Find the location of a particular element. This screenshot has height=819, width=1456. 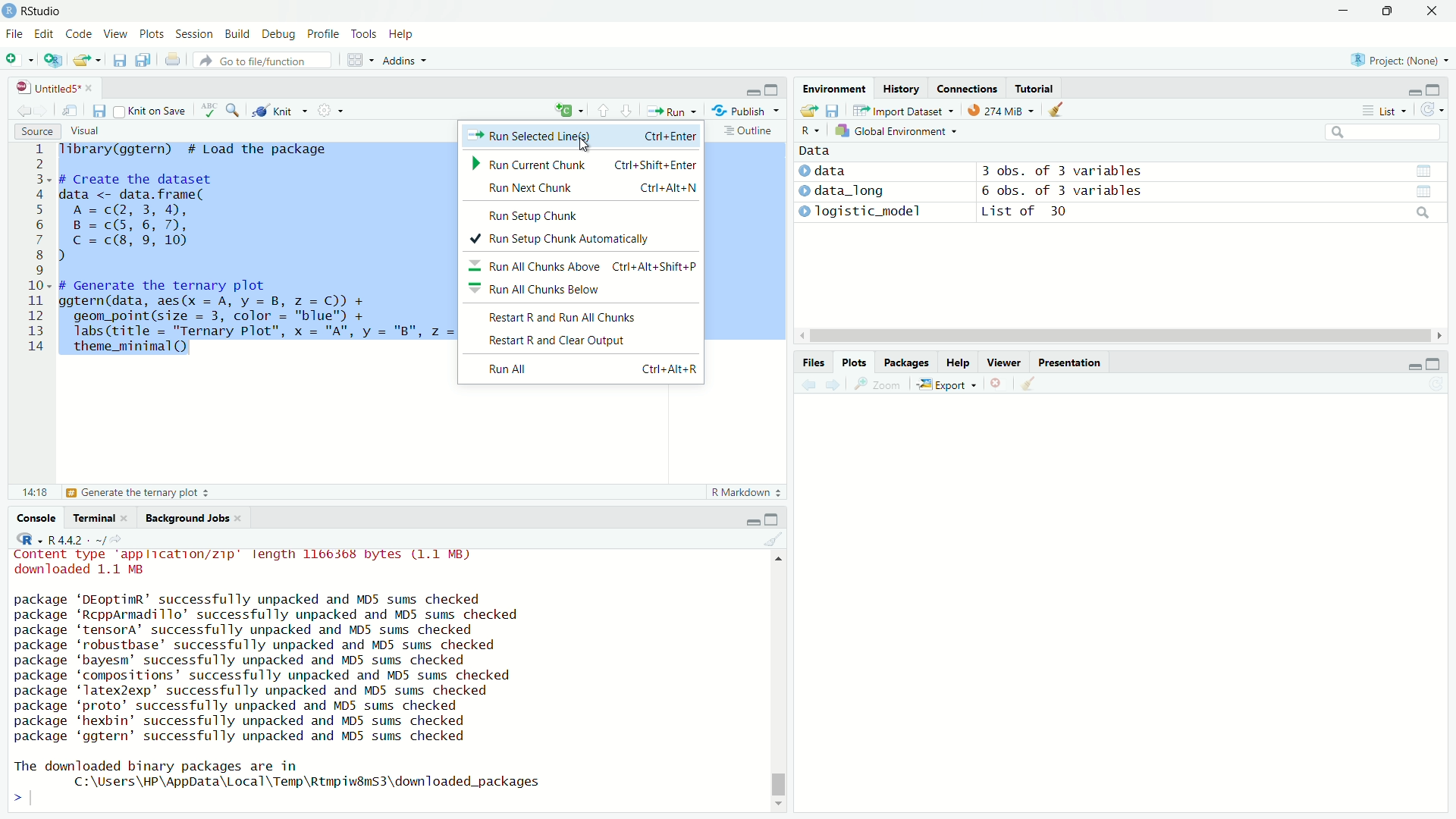

Content type "application/zip’ length 1166368 bytes (1.1 MB)
downloaded 1.1 MB
package ‘DEoptimR’ successfully unpacked and MDS sums checked
package ‘RcppArmadillo’ successfully unpacked and MDS sums checked
package ‘tensorA’ successfully unpacked and MD5 sums checked
package ‘robustbase’ successfully unpacked and MDS sums checked
package ‘bayesm’ successfully unpacked and MD5 sums checked
package ‘compositions’ successfully unpacked and MD5 sums checked
package ‘latex2exp’ successfully unpacked and MDS sums checked
package ‘proto’ successfully unpacked and MDS sums checked
package ‘hexbin’ successfully unpacked and MD5 sums checked
package ‘ggtern’ successfully unpacked and MD5 sums checked
The downloaded binary packages are in
C:\Users\HP\AppData\Local\Temp\Rtmpiw8ms3\downloaded_packages
. is located at coordinates (291, 674).